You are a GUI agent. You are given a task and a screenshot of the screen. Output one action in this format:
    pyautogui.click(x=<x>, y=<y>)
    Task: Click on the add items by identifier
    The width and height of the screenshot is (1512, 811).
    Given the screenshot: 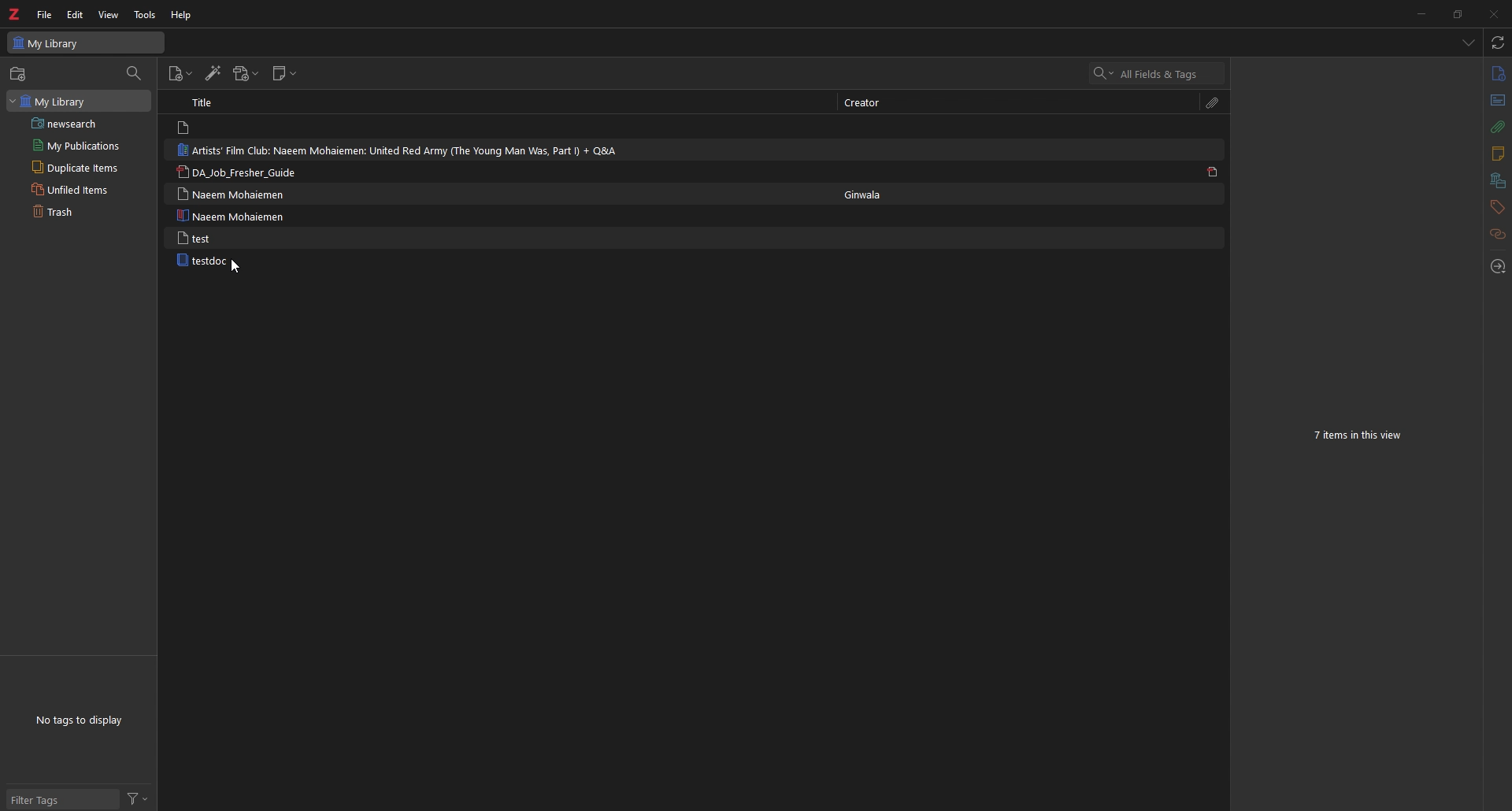 What is the action you would take?
    pyautogui.click(x=212, y=74)
    